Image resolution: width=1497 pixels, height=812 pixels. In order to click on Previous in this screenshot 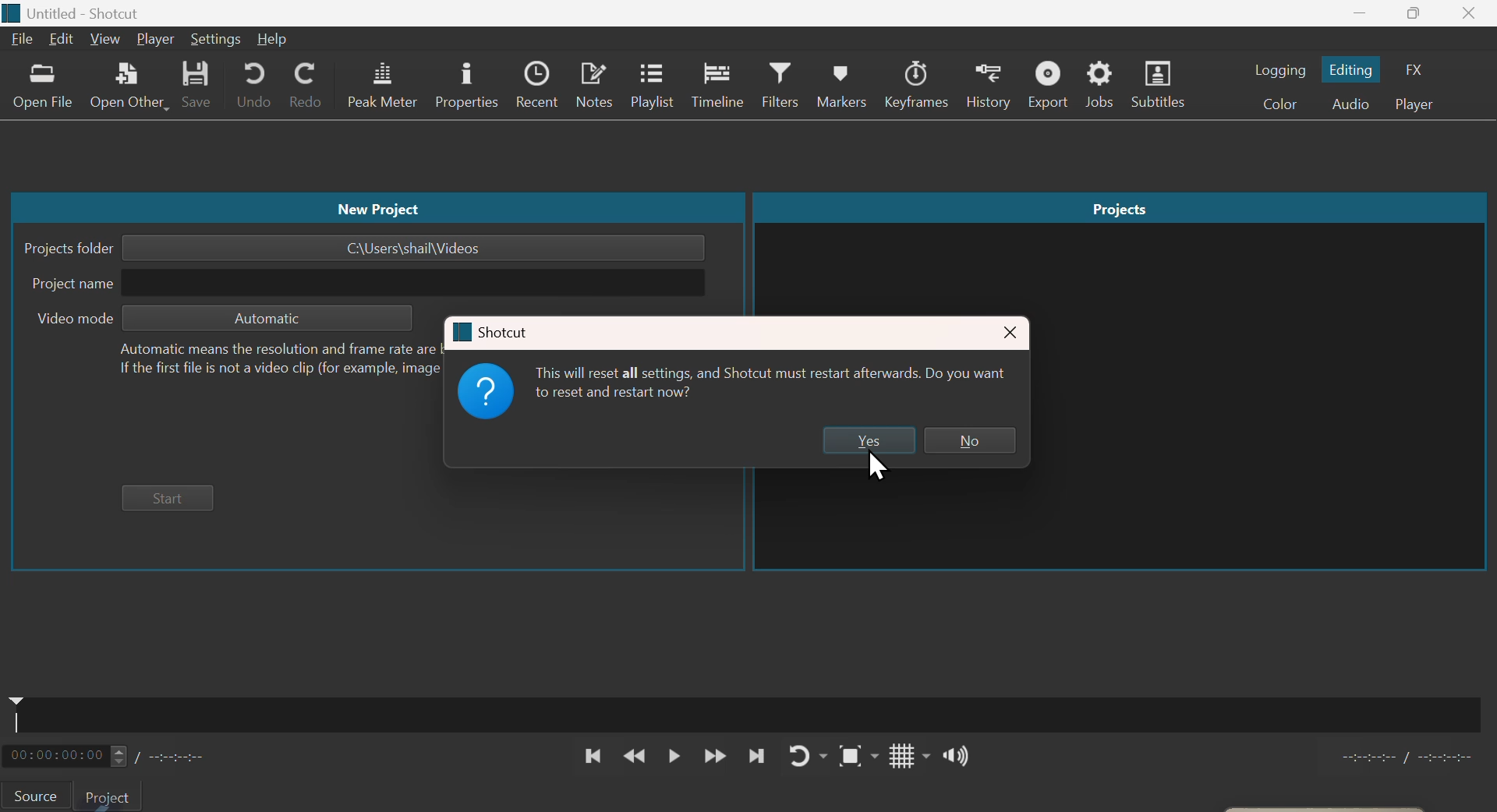, I will do `click(593, 756)`.